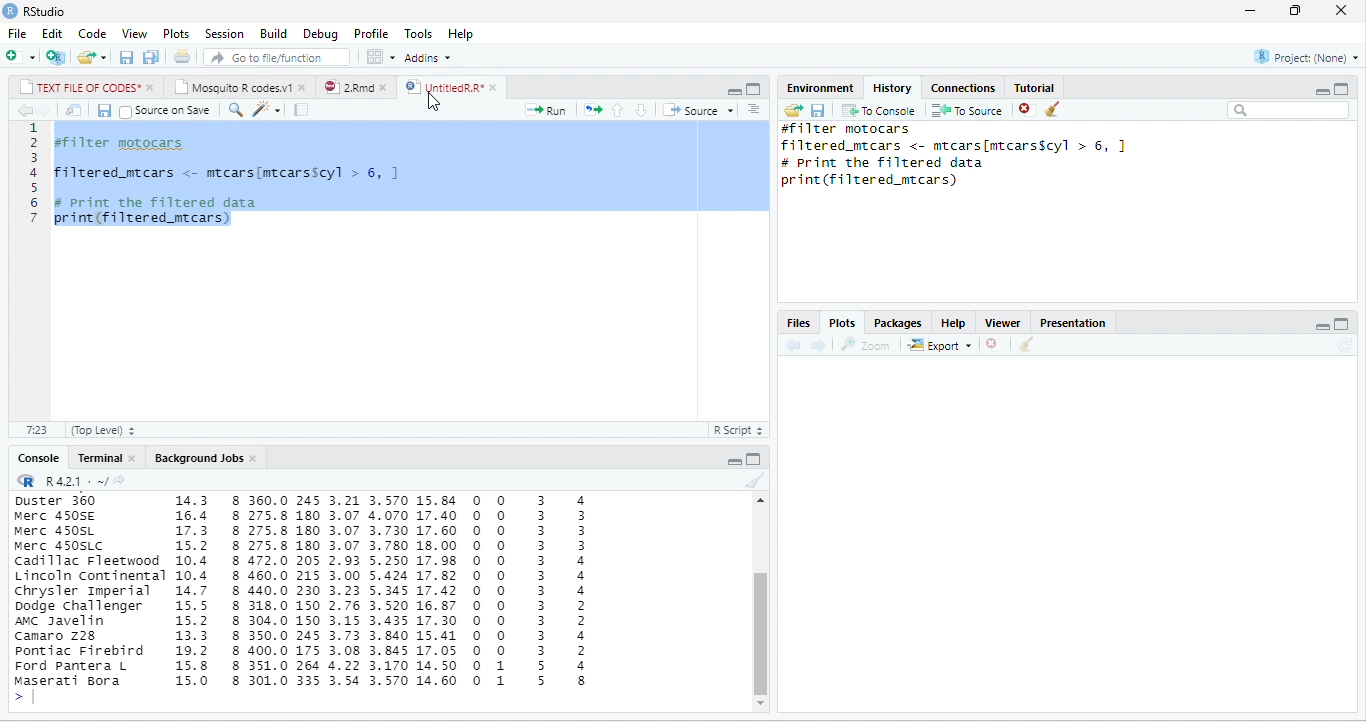 This screenshot has height=722, width=1366. What do you see at coordinates (1026, 344) in the screenshot?
I see `clear` at bounding box center [1026, 344].